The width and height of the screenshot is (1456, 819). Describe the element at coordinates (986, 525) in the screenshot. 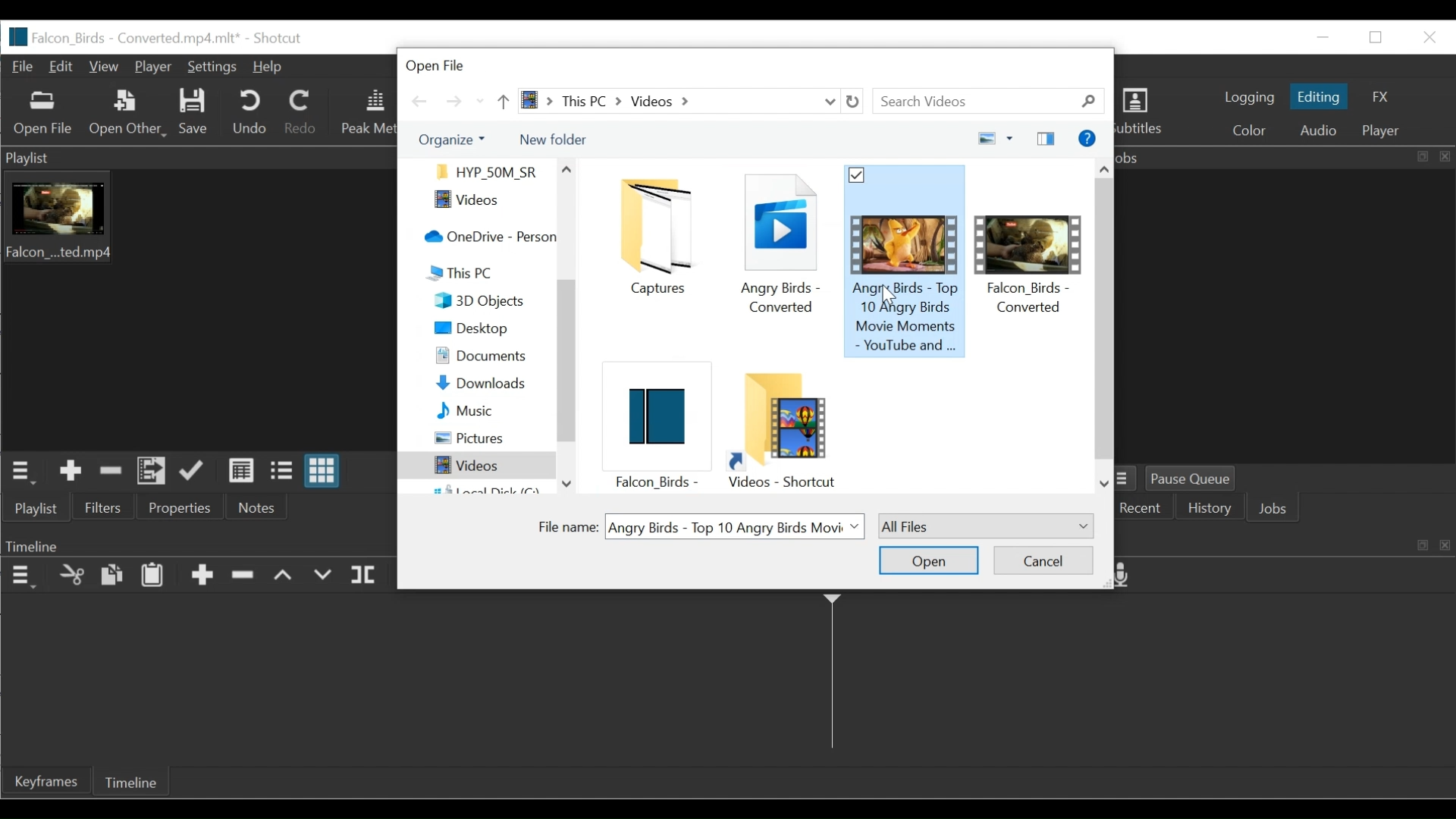

I see `Select ` at that location.